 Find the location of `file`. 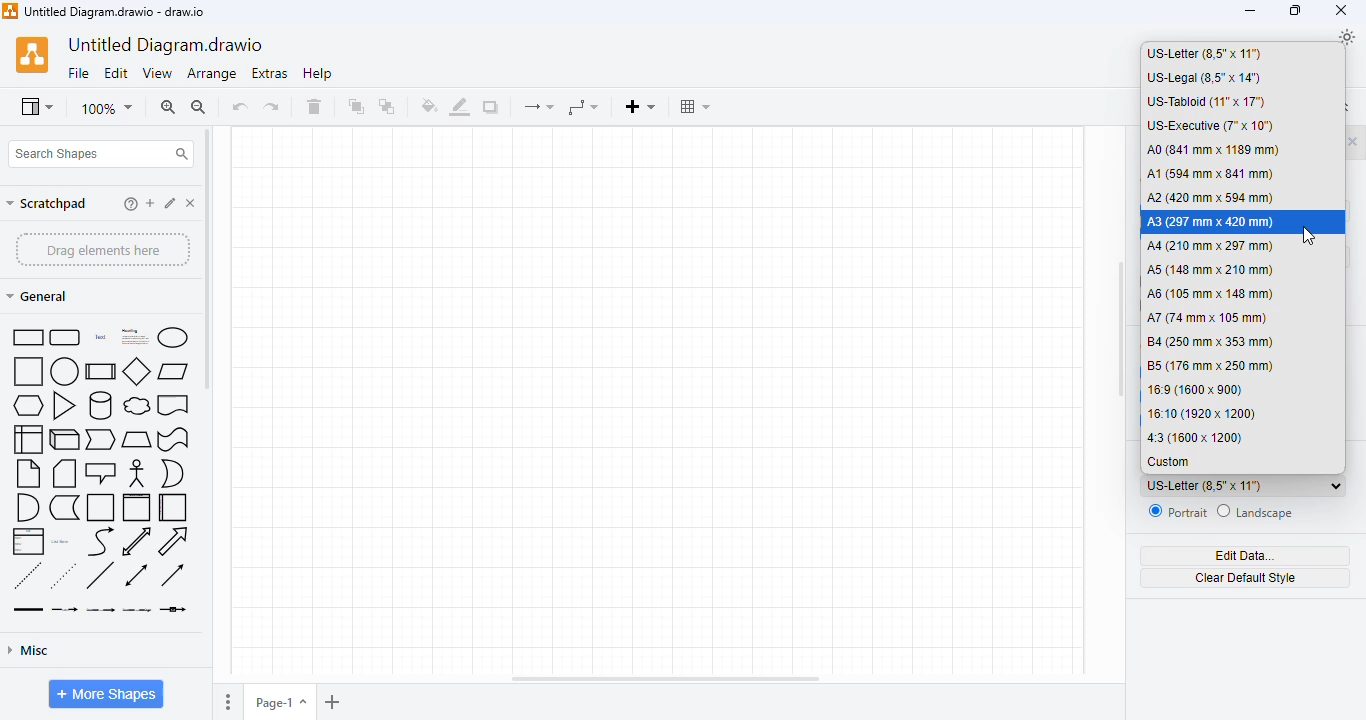

file is located at coordinates (79, 74).